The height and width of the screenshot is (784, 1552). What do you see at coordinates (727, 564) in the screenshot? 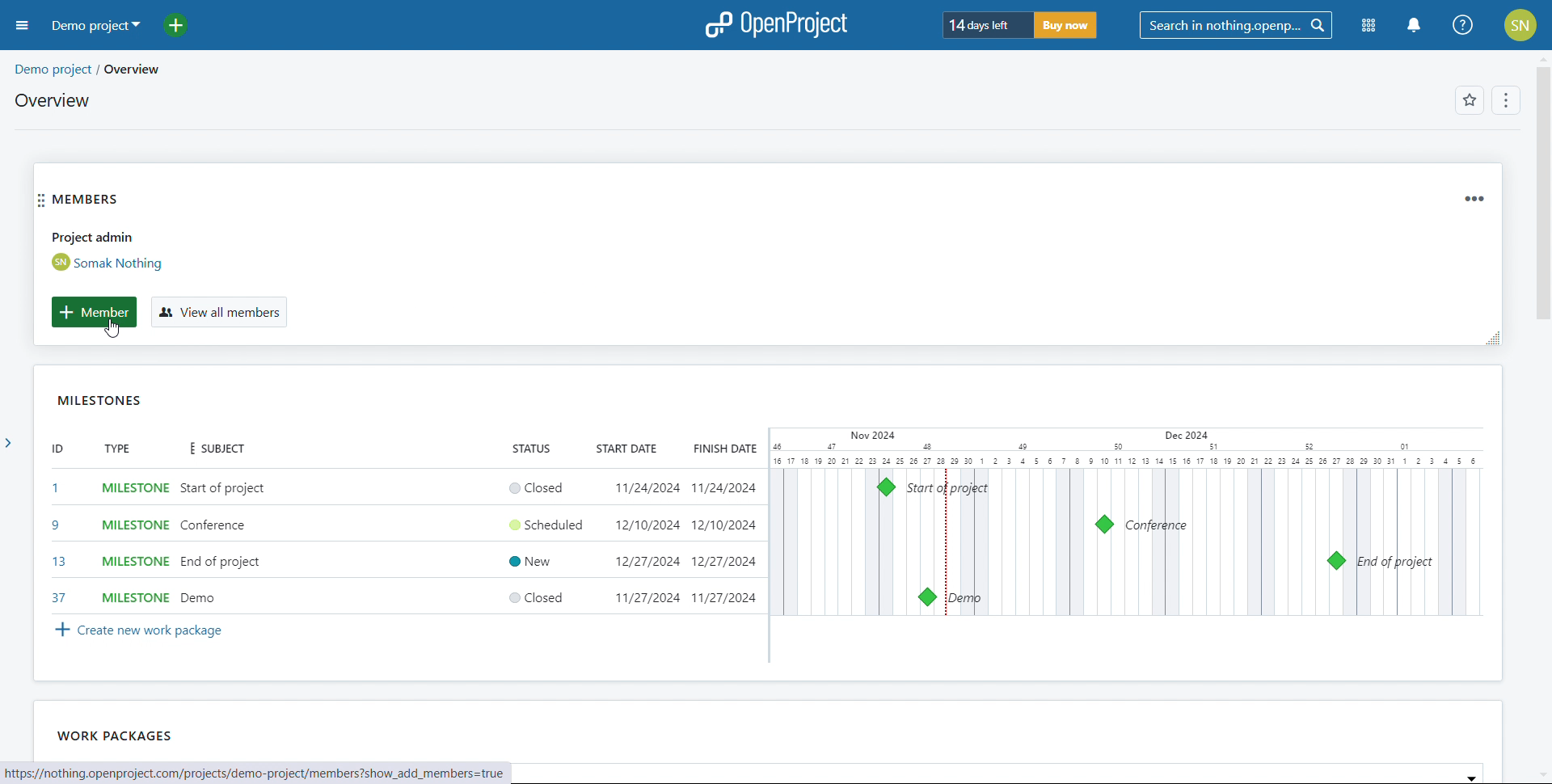
I see `12/27/2024` at bounding box center [727, 564].